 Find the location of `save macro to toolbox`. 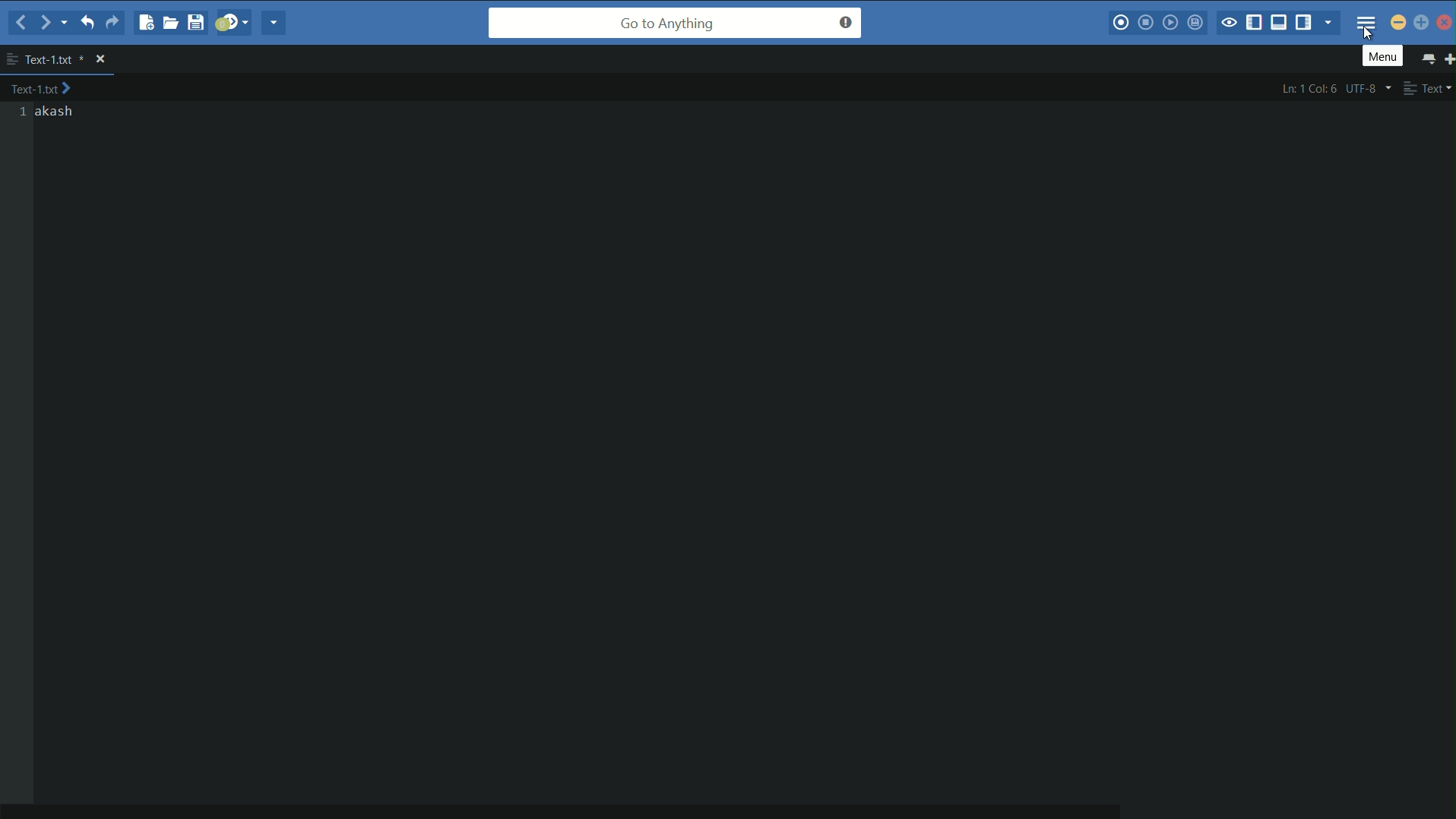

save macro to toolbox is located at coordinates (1197, 21).